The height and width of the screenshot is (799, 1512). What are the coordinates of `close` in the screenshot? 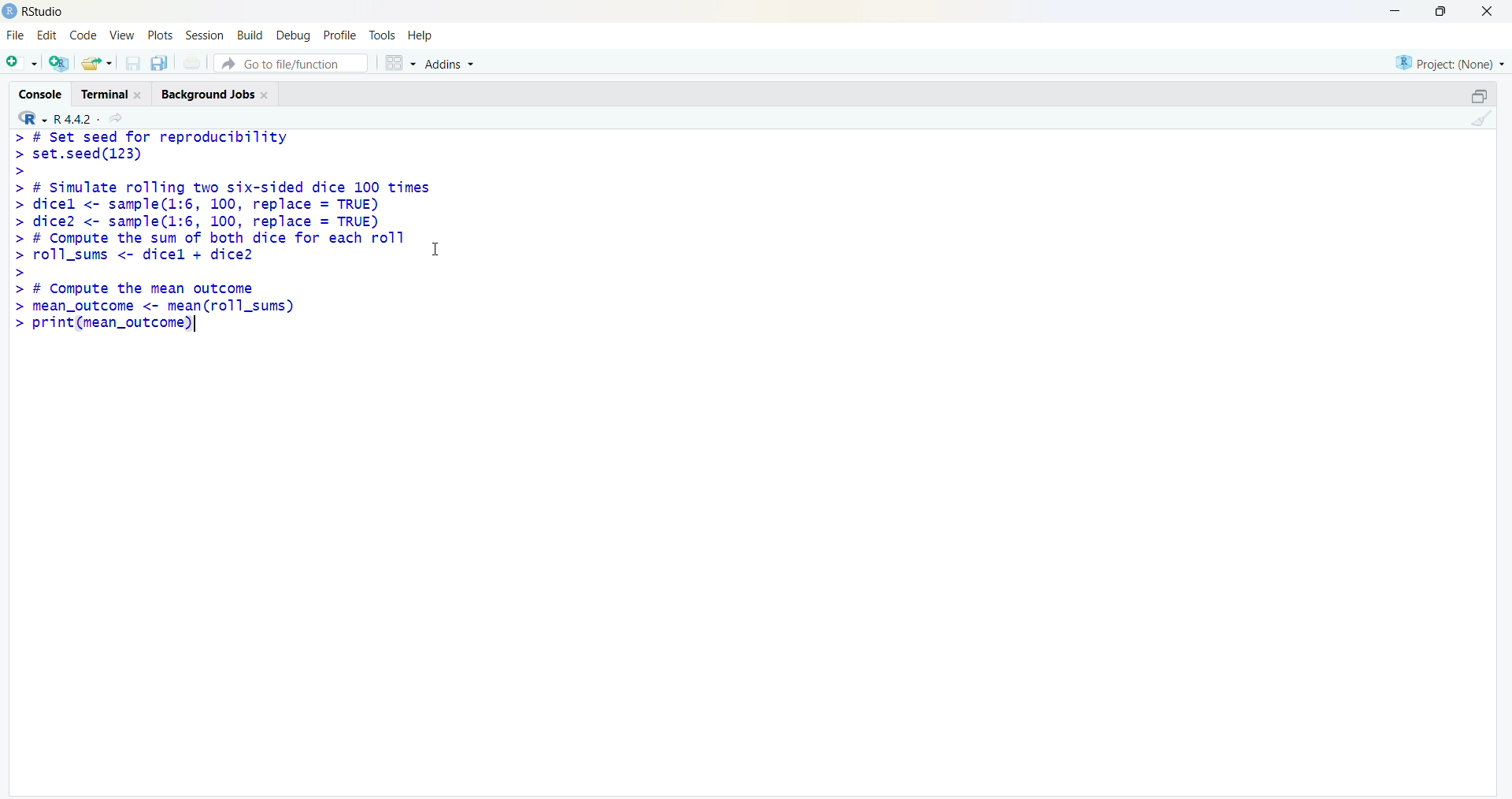 It's located at (139, 95).